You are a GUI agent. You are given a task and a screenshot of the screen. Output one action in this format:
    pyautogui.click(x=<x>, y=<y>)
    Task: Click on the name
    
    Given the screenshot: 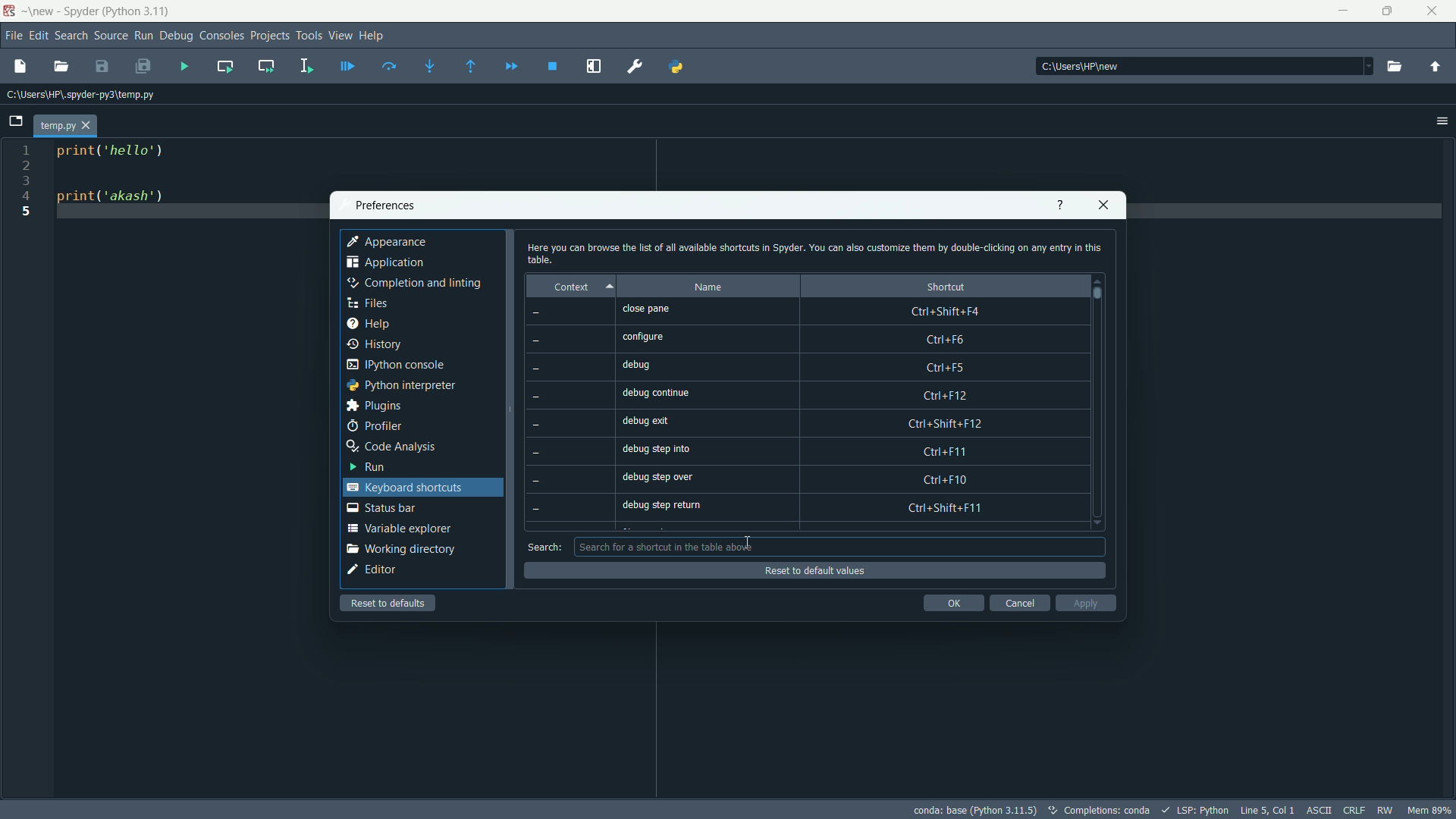 What is the action you would take?
    pyautogui.click(x=711, y=287)
    